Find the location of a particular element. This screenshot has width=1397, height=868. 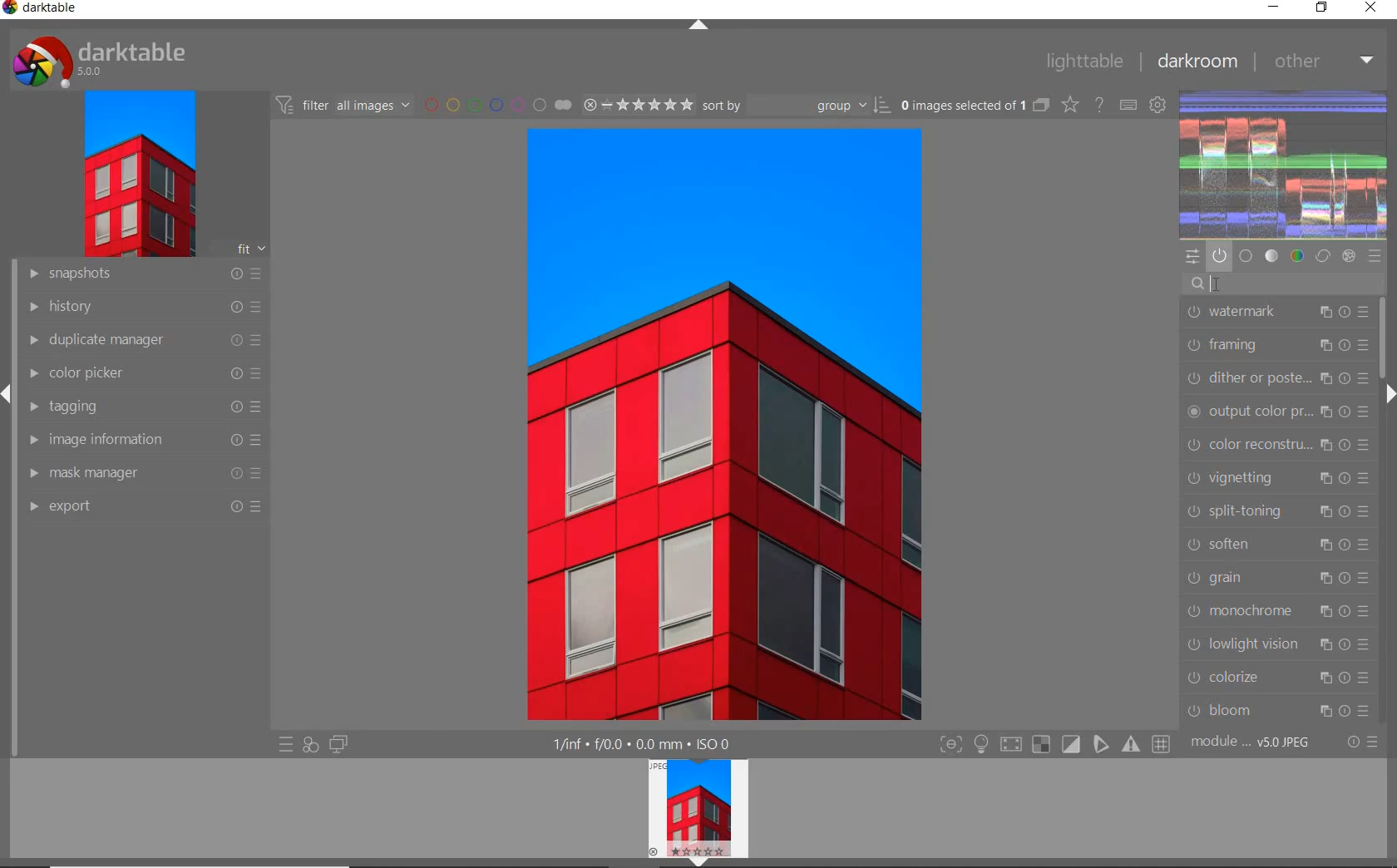

expand/collapse is located at coordinates (699, 26).